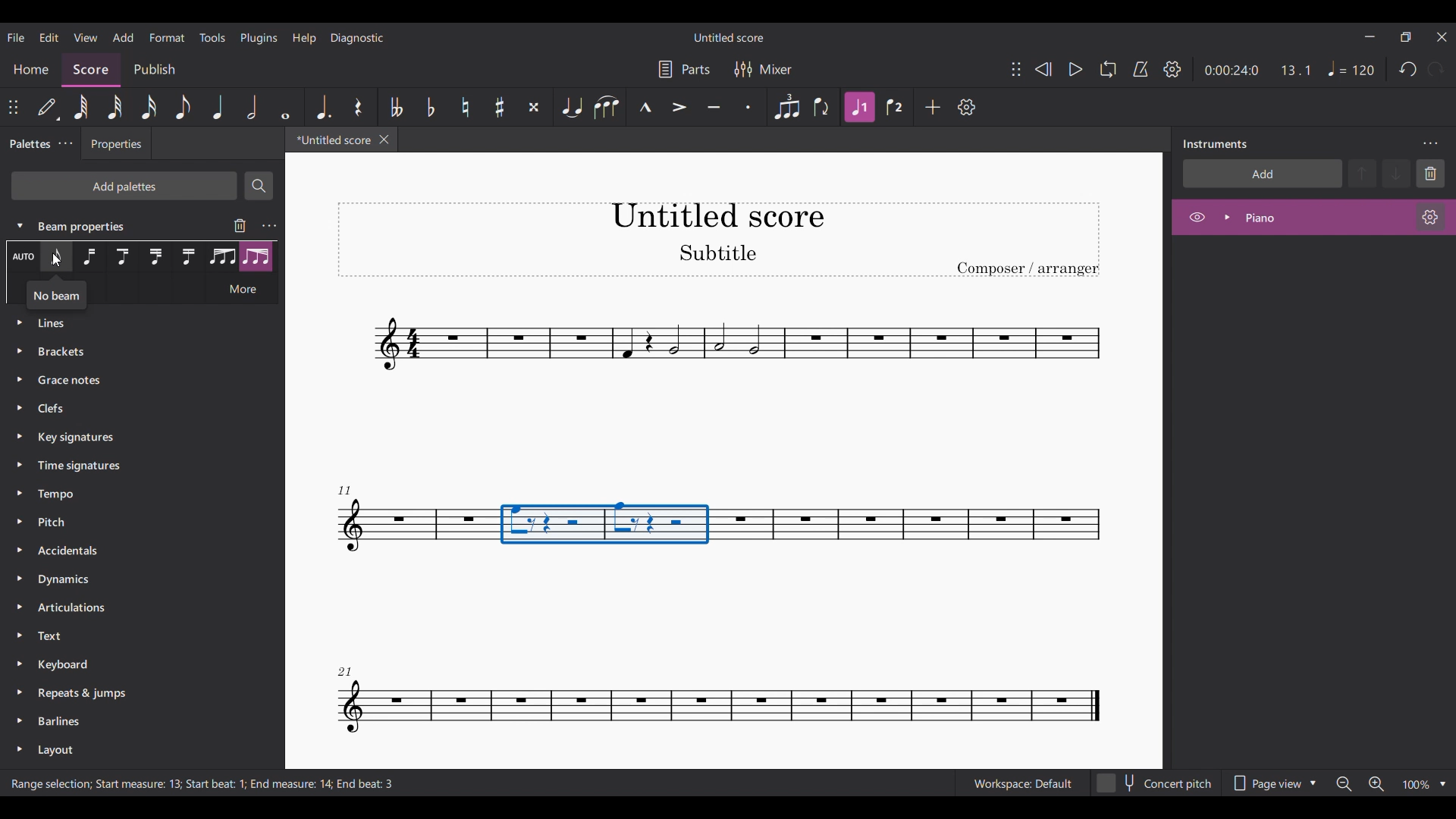  What do you see at coordinates (252, 107) in the screenshot?
I see `Half note` at bounding box center [252, 107].